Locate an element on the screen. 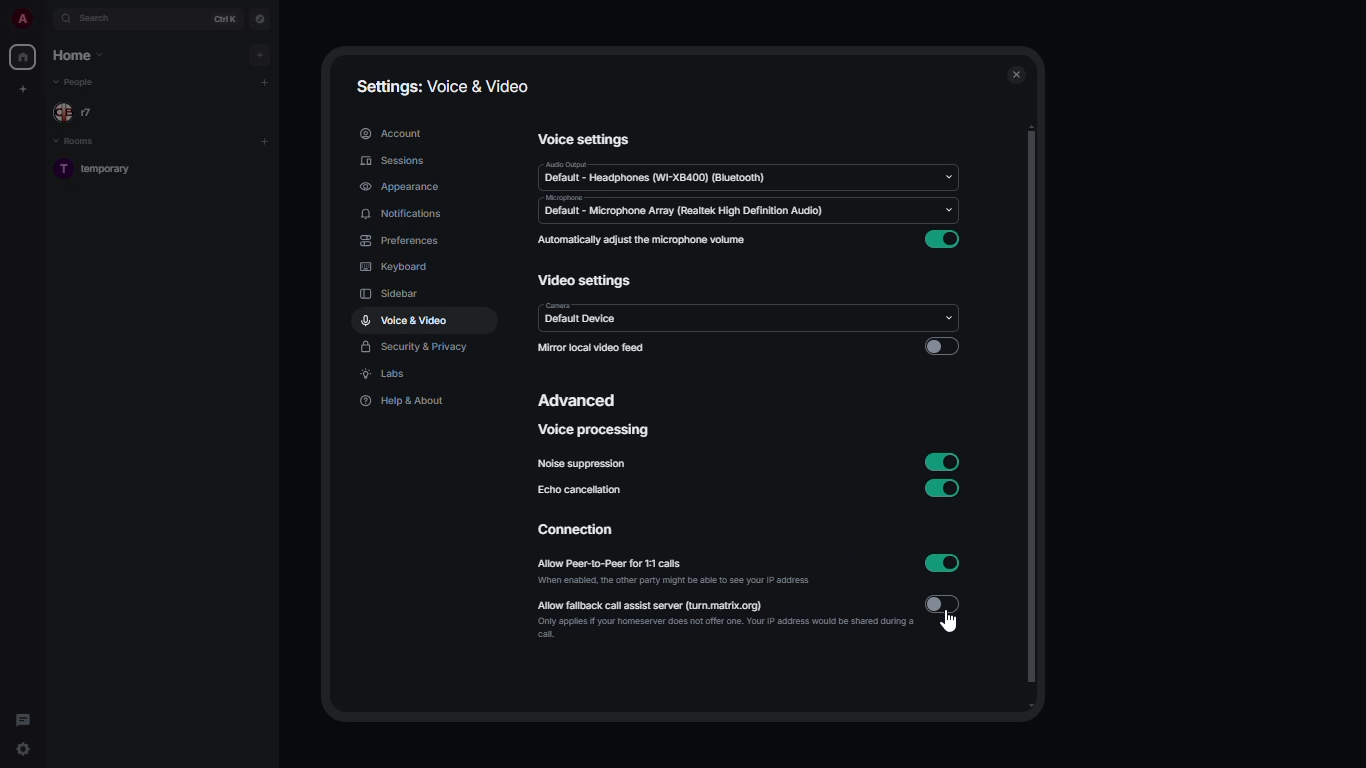 This screenshot has width=1366, height=768. search is located at coordinates (94, 18).